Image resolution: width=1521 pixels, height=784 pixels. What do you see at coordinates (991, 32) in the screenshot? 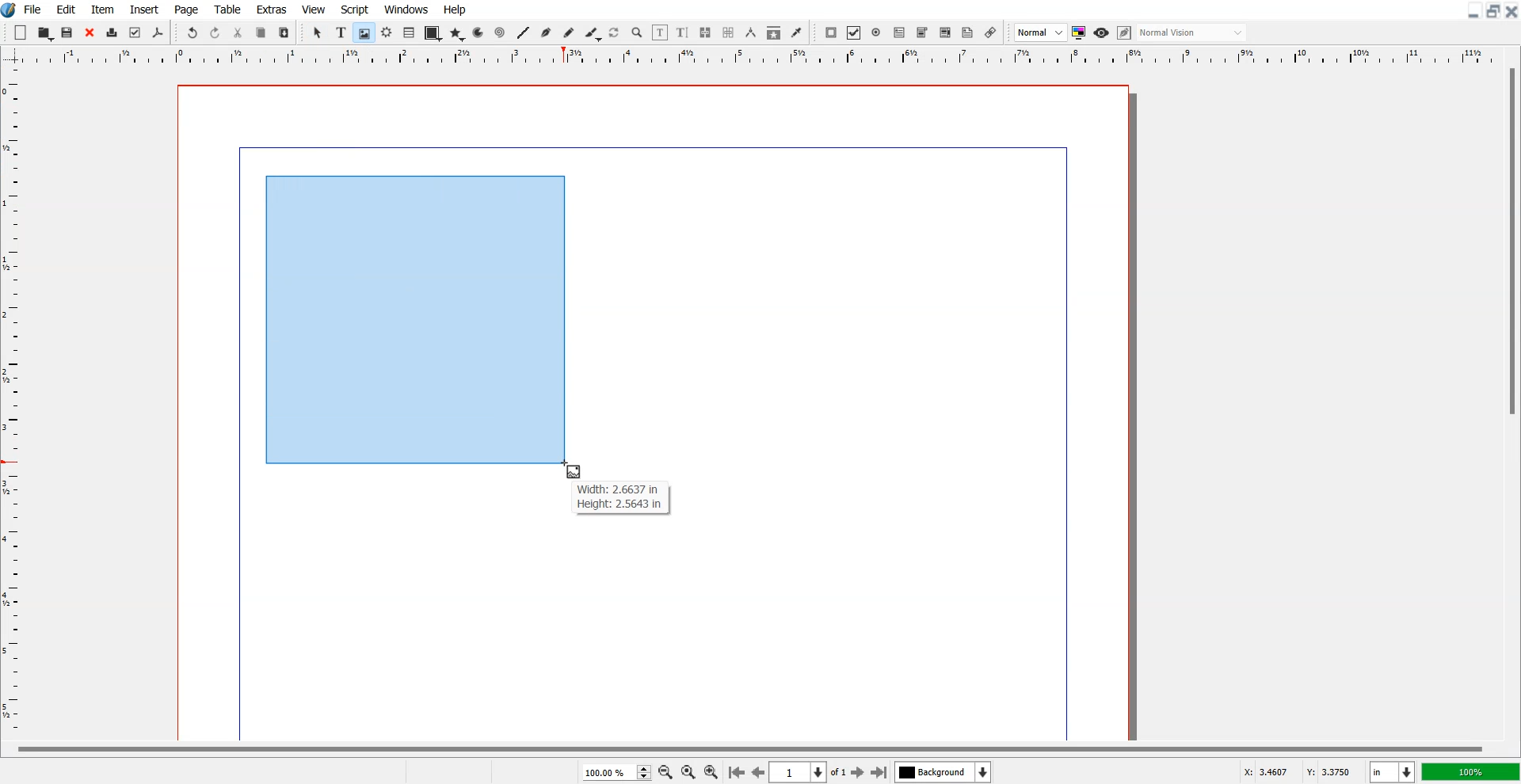
I see `Link Annotation` at bounding box center [991, 32].